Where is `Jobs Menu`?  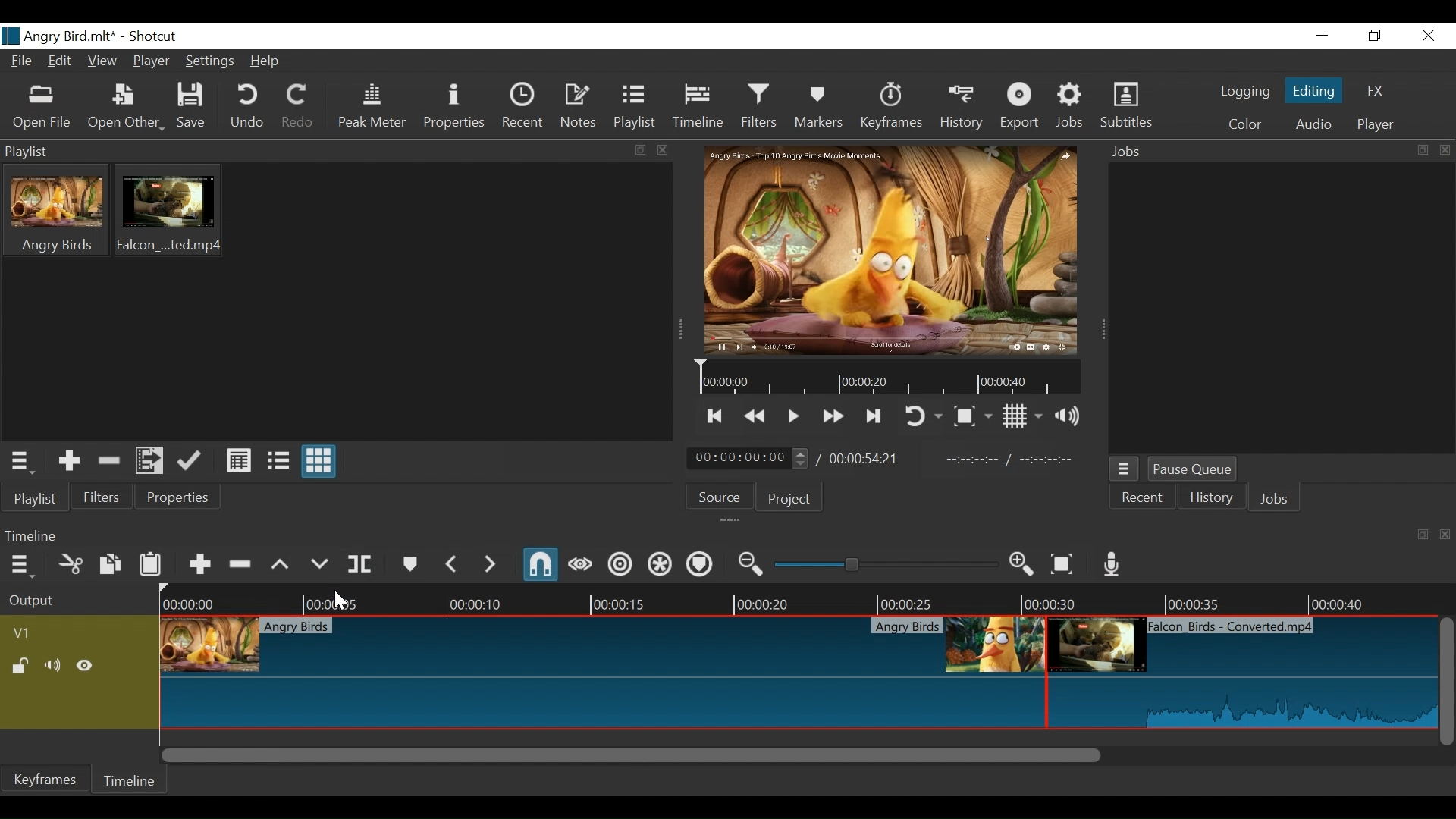
Jobs Menu is located at coordinates (1125, 469).